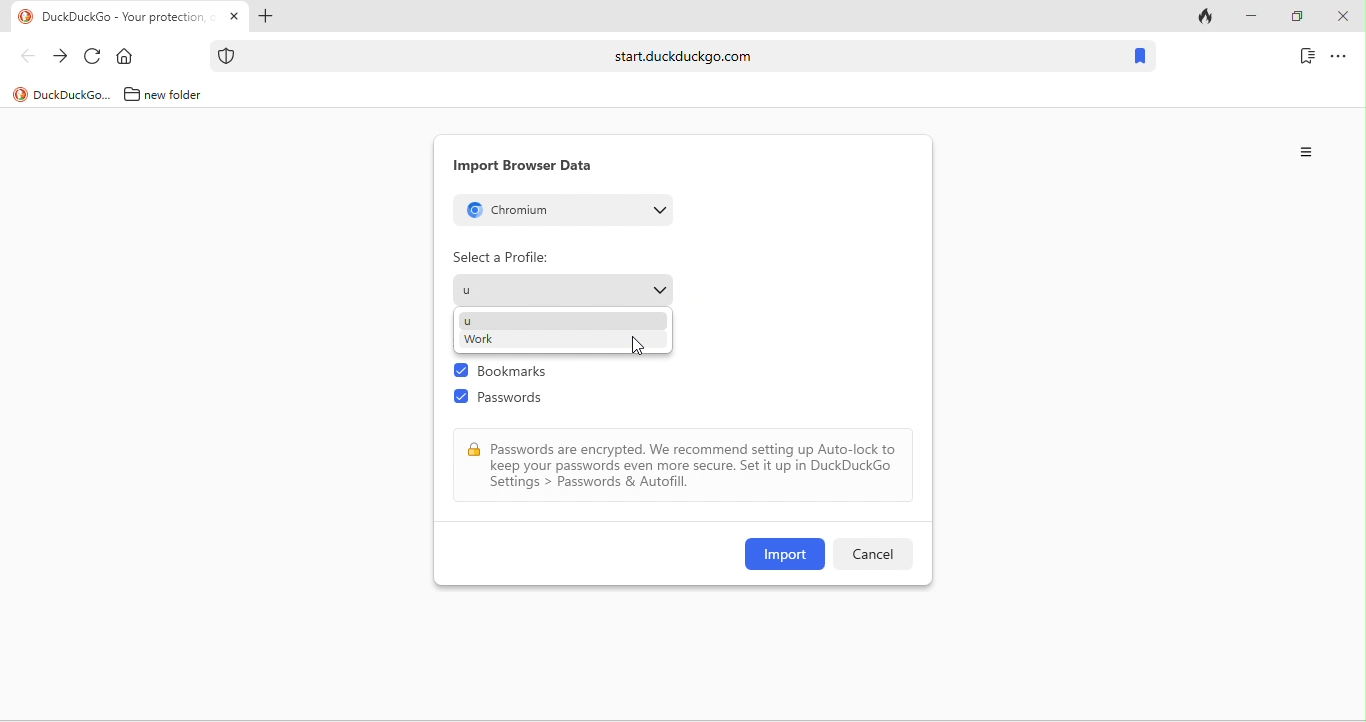  I want to click on checked checkbox, so click(461, 371).